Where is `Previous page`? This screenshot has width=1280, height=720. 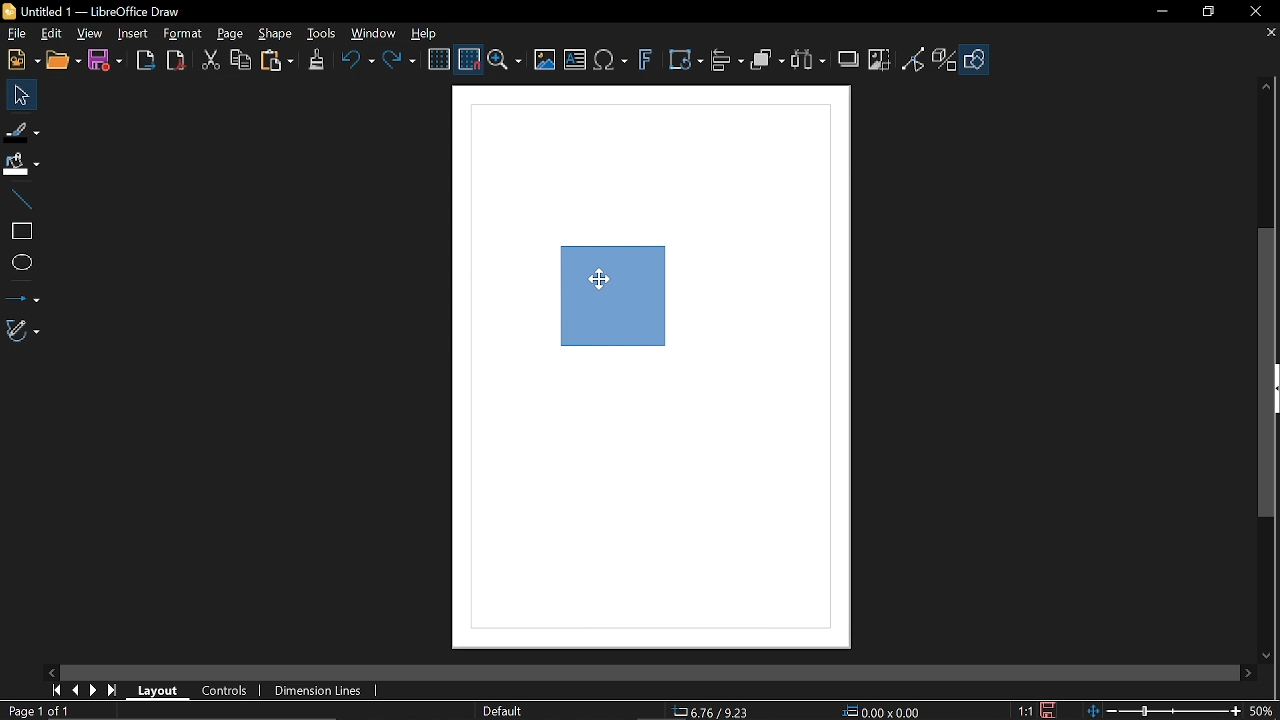 Previous page is located at coordinates (75, 689).